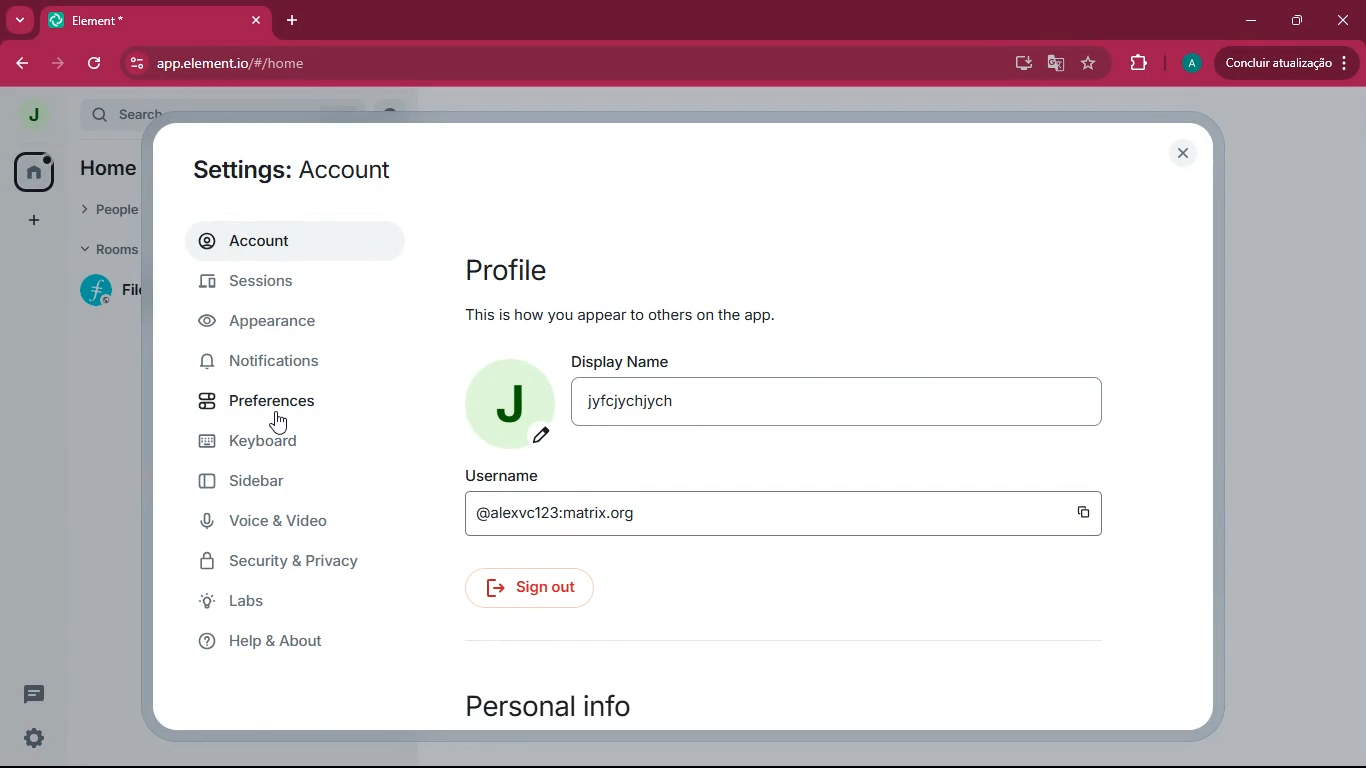  Describe the element at coordinates (1188, 63) in the screenshot. I see `profile picture` at that location.